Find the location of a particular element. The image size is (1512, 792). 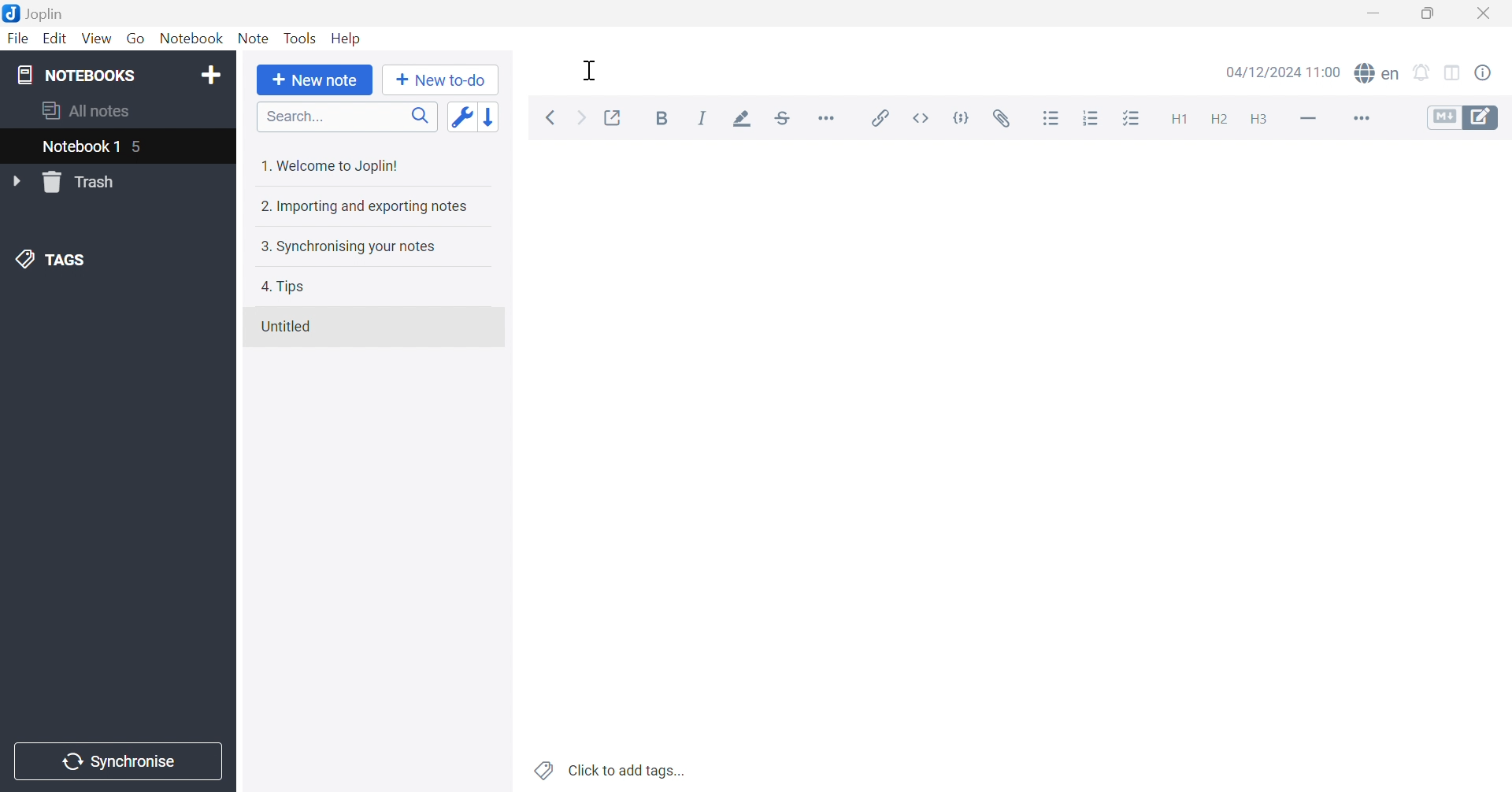

Notebook is located at coordinates (195, 41).